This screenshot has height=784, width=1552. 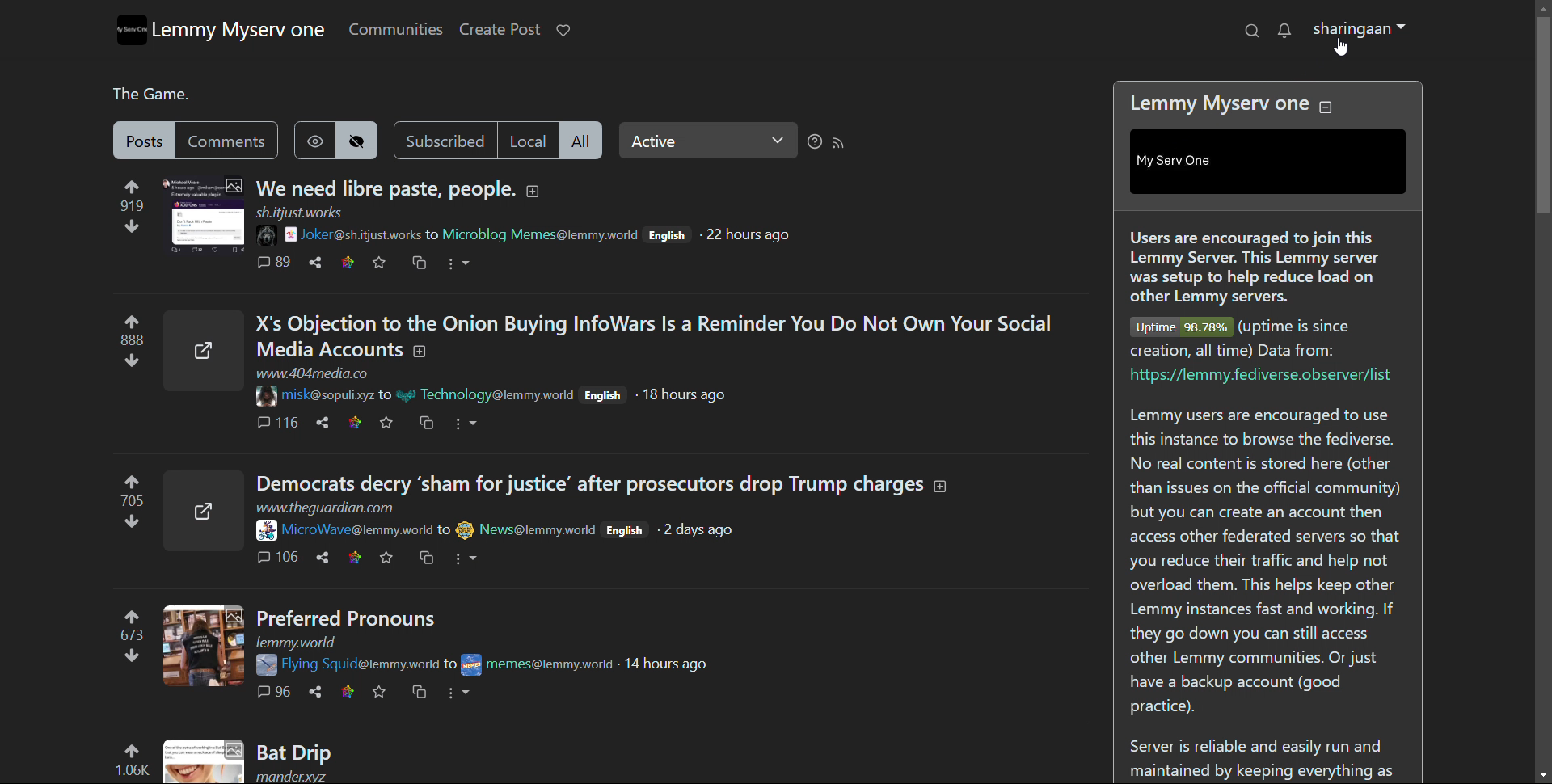 What do you see at coordinates (1184, 161) in the screenshot?
I see `| My Serv One` at bounding box center [1184, 161].